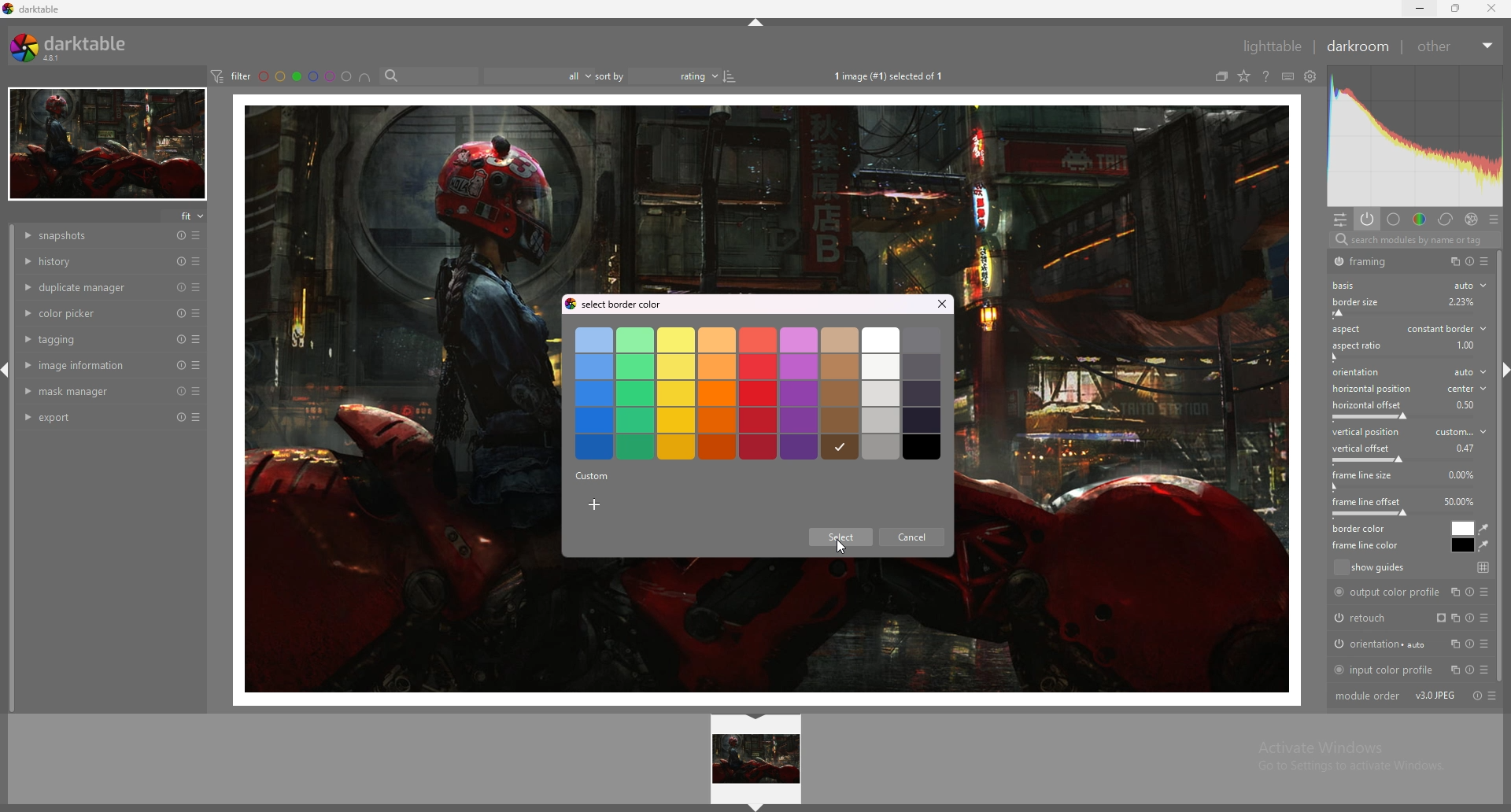  I want to click on define shortcuts, so click(1287, 76).